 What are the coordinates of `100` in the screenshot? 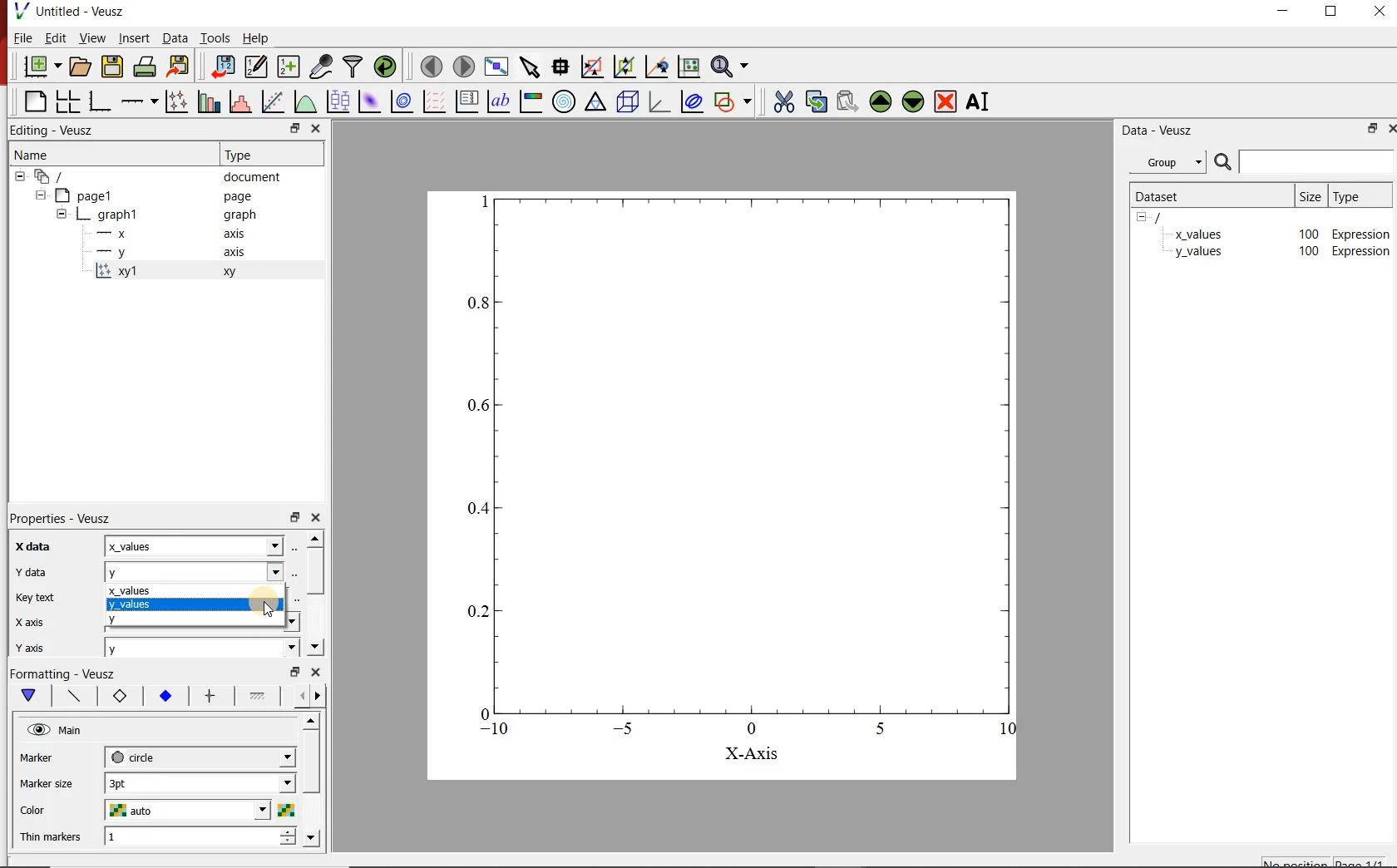 It's located at (1308, 233).